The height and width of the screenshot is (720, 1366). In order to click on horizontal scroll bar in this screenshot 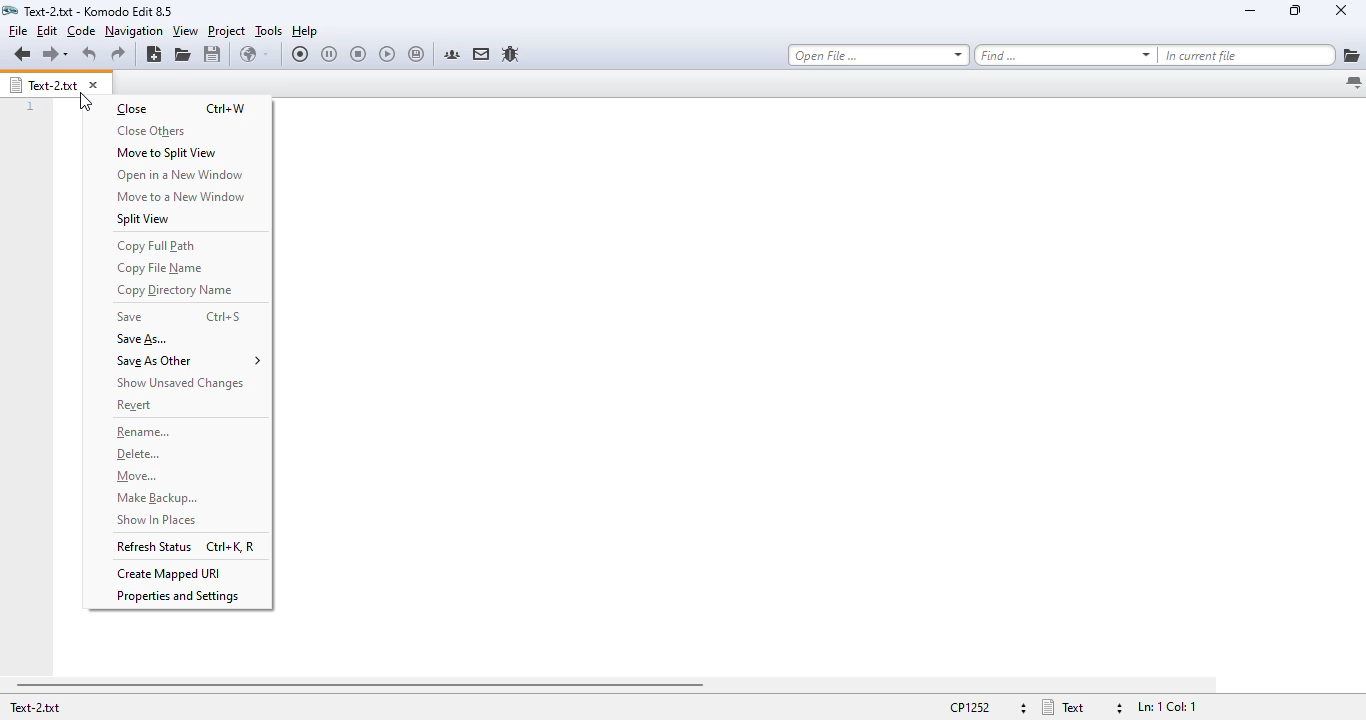, I will do `click(360, 685)`.